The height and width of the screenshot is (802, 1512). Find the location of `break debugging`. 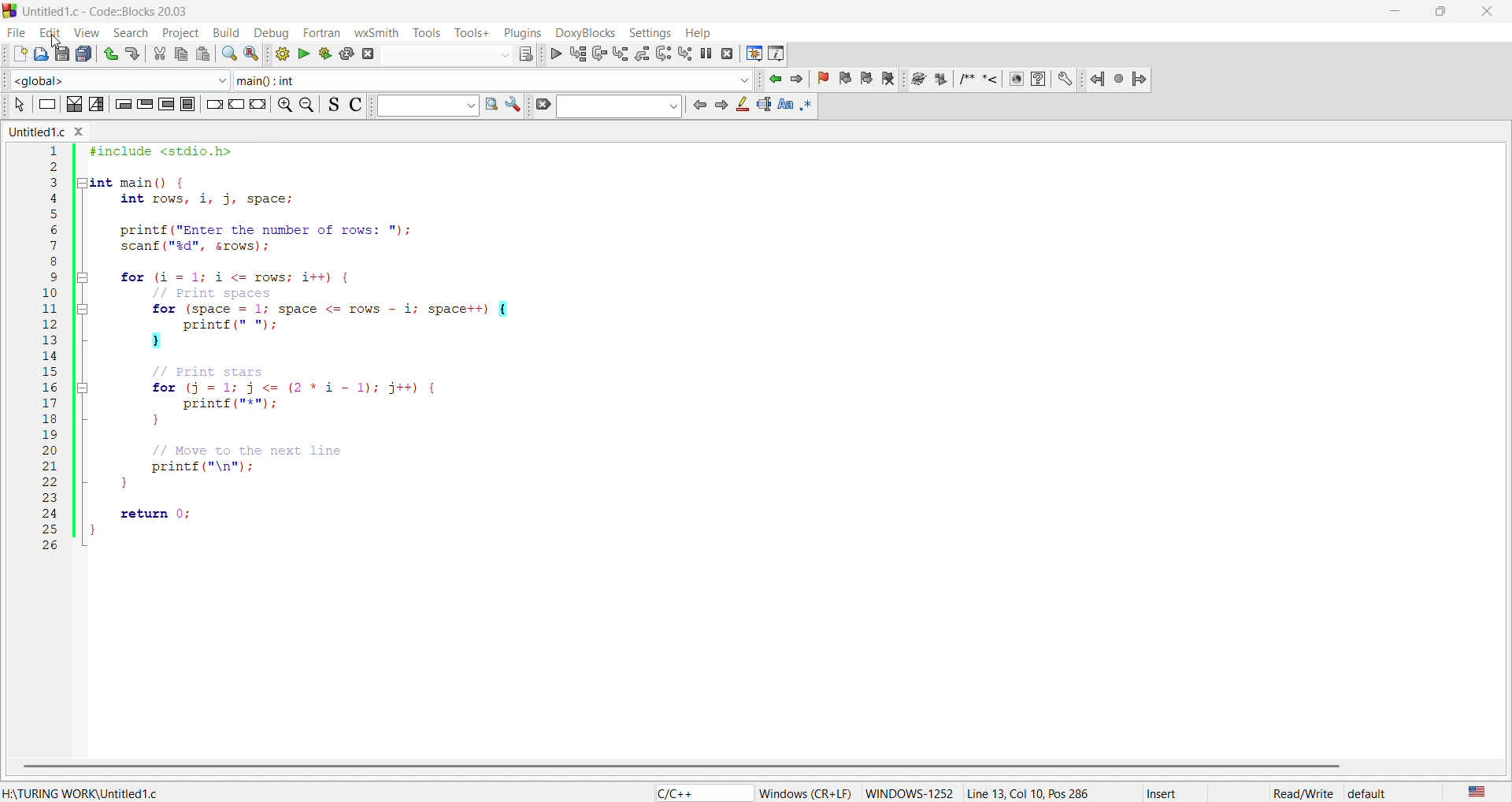

break debugging is located at coordinates (706, 52).